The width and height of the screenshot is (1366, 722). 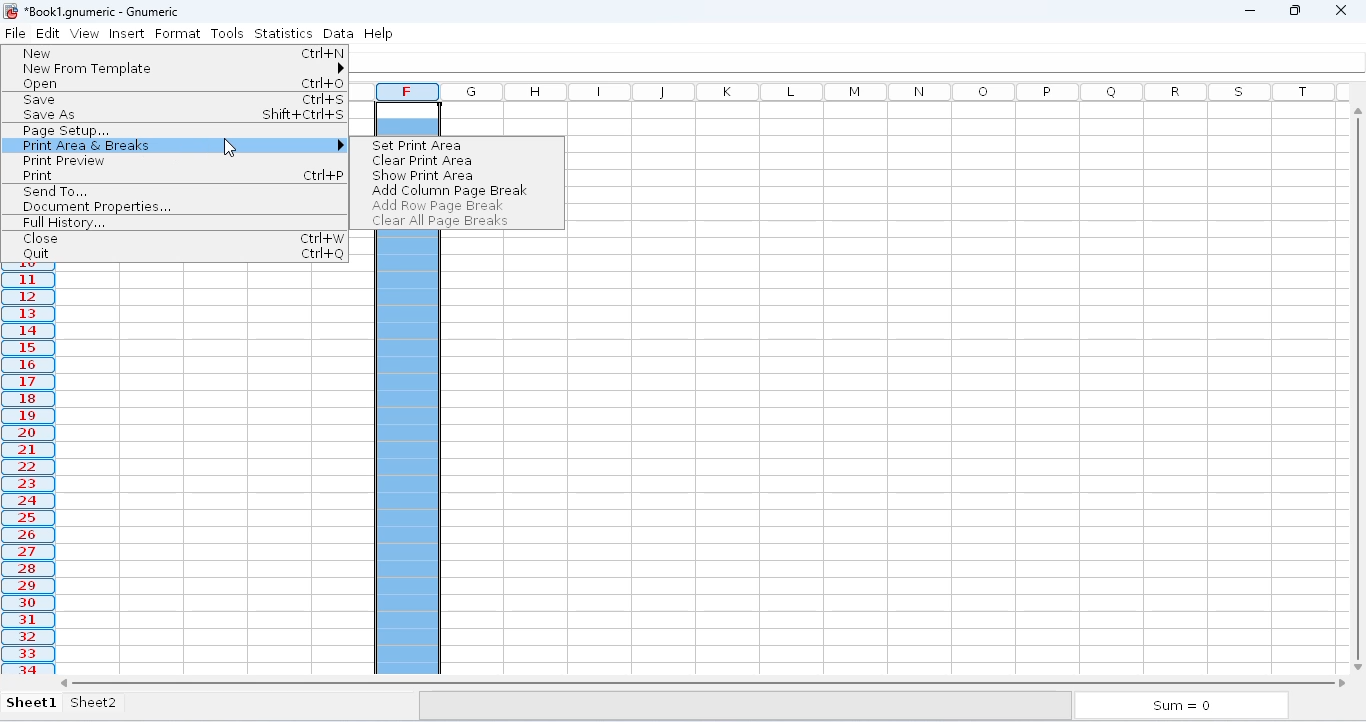 What do you see at coordinates (304, 114) in the screenshot?
I see `shortcut for save as` at bounding box center [304, 114].